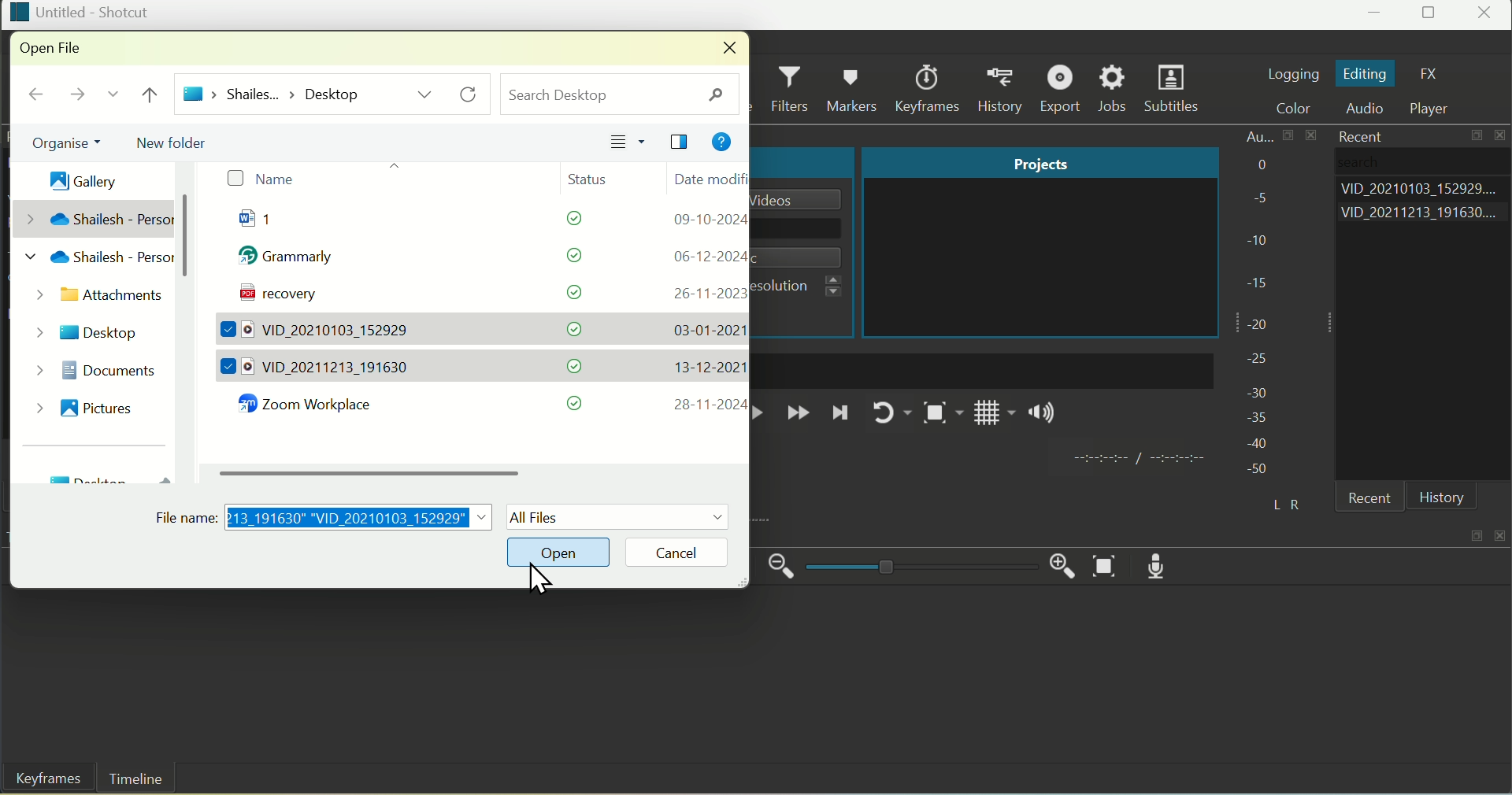 The height and width of the screenshot is (795, 1512). What do you see at coordinates (79, 406) in the screenshot?
I see `Pictures` at bounding box center [79, 406].